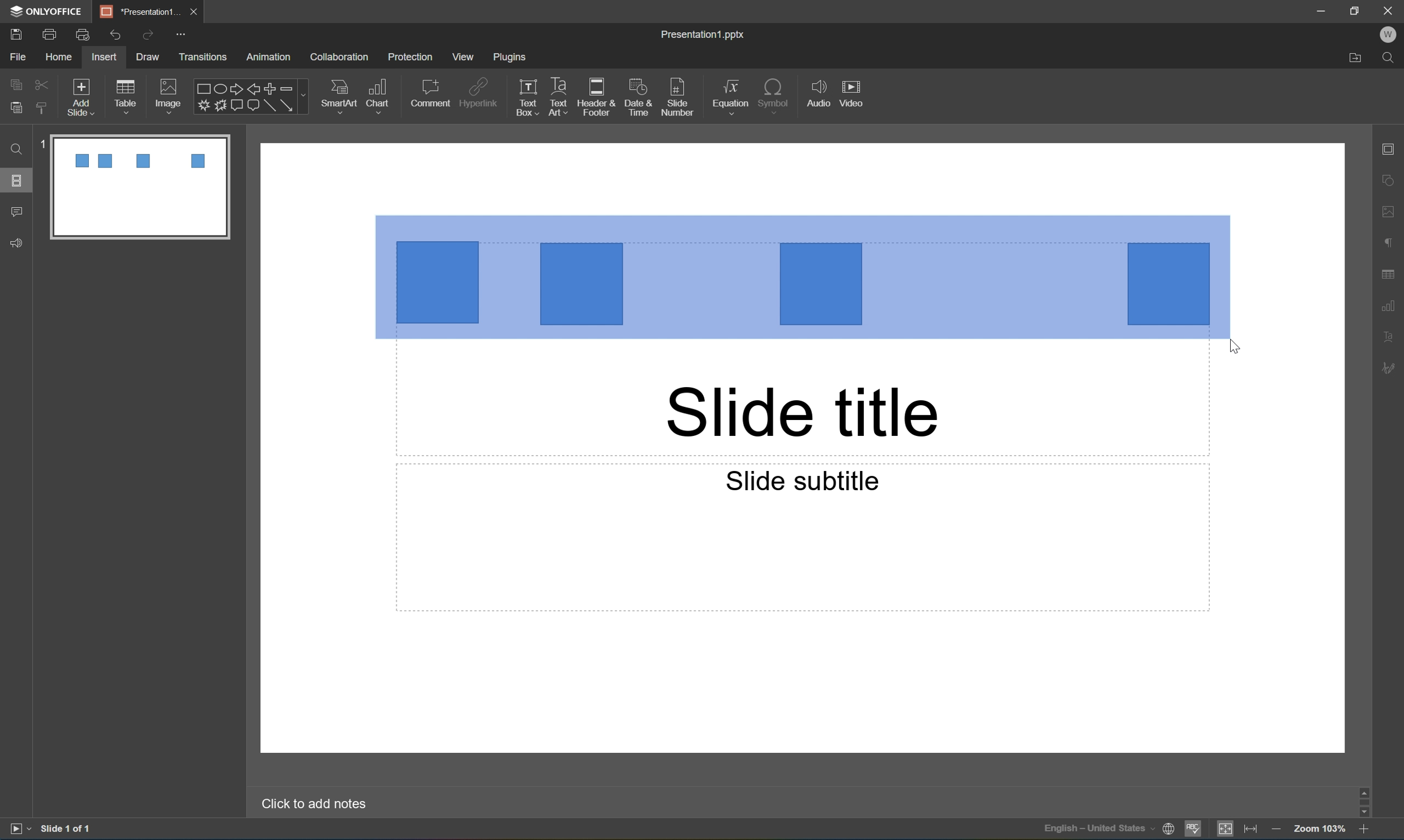 Image resolution: width=1404 pixels, height=840 pixels. I want to click on shapes, so click(250, 96).